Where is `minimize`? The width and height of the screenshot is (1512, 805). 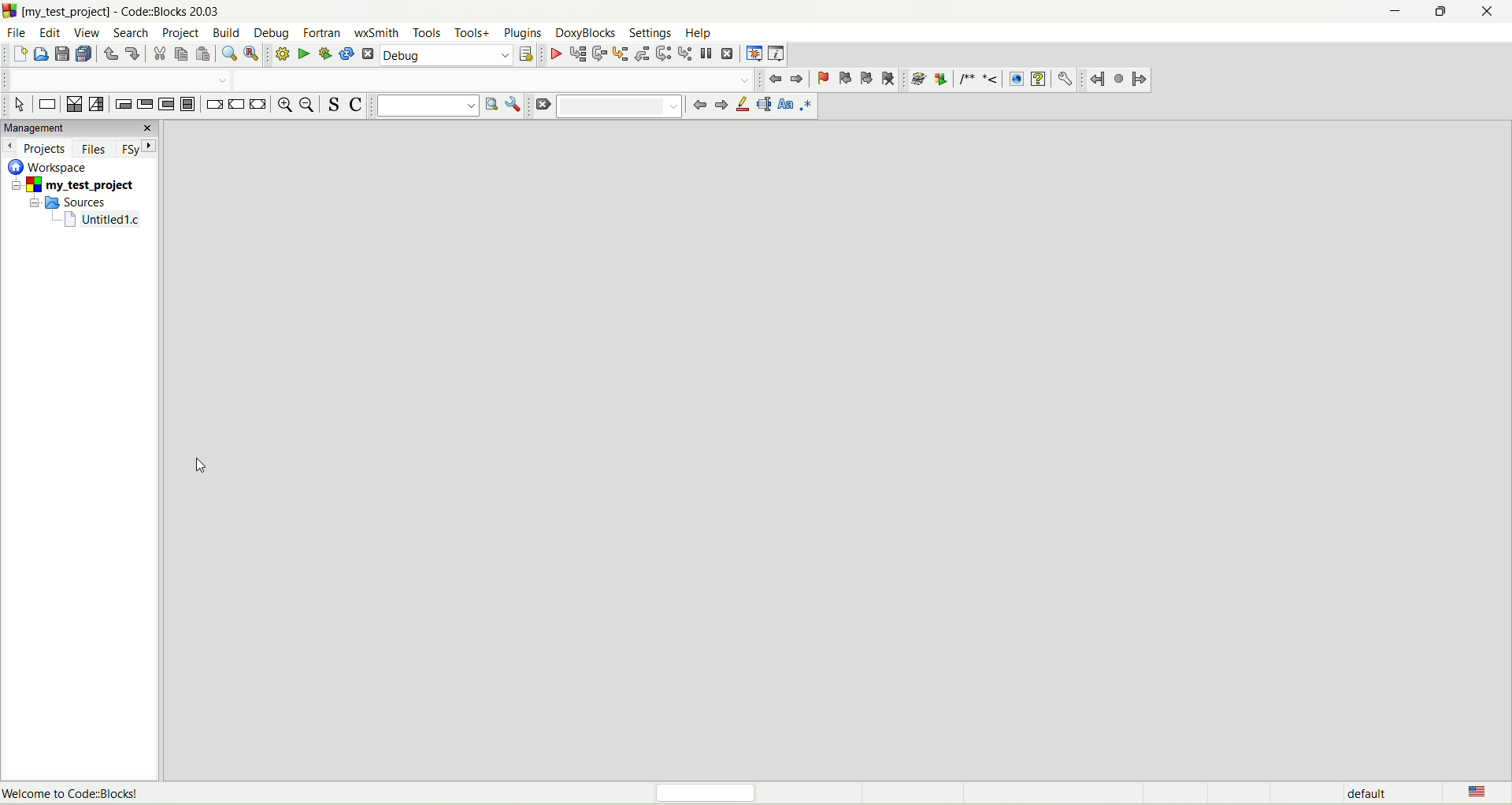 minimize is located at coordinates (1388, 15).